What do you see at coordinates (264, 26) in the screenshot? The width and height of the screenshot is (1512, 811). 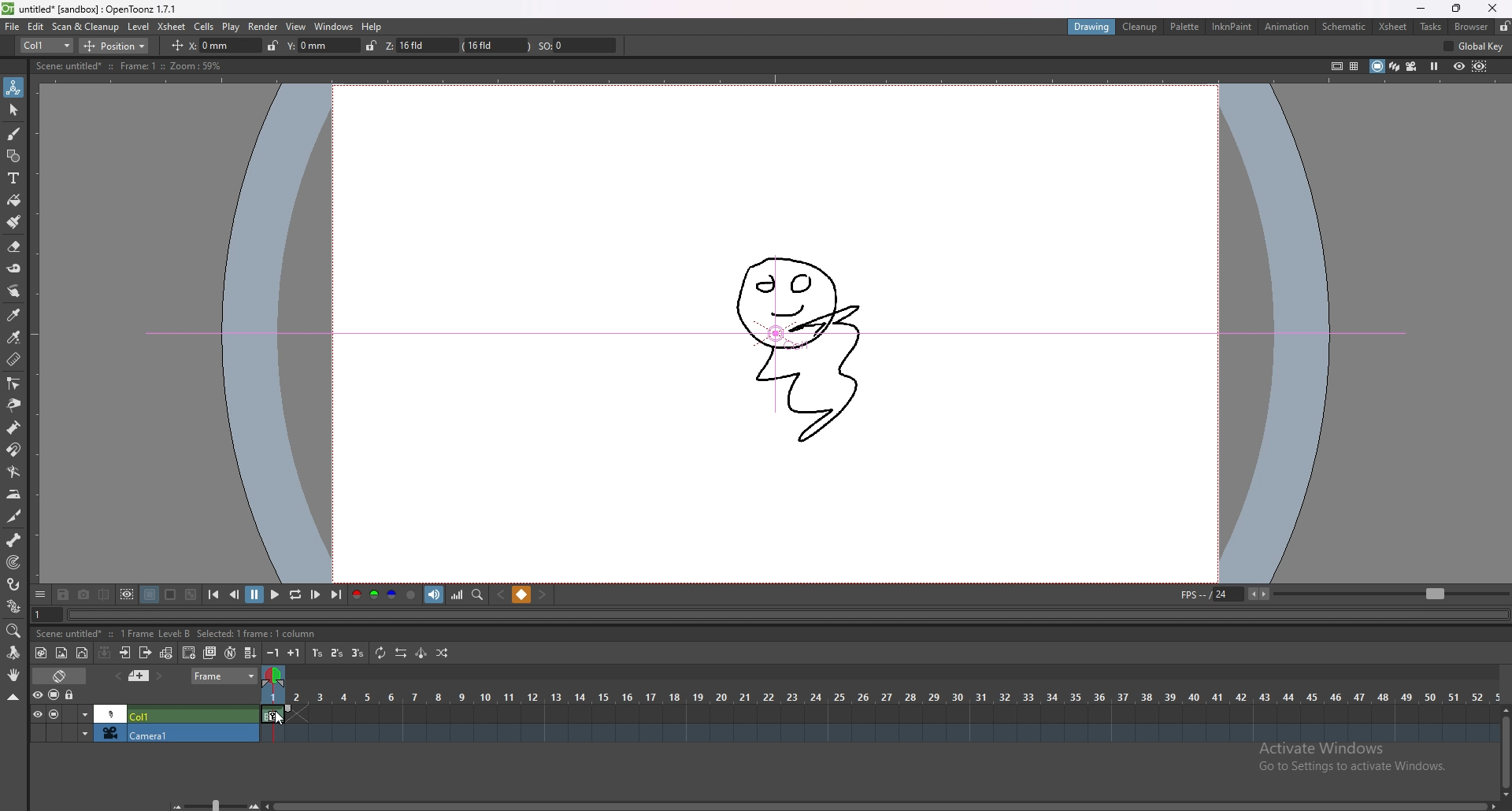 I see `render` at bounding box center [264, 26].